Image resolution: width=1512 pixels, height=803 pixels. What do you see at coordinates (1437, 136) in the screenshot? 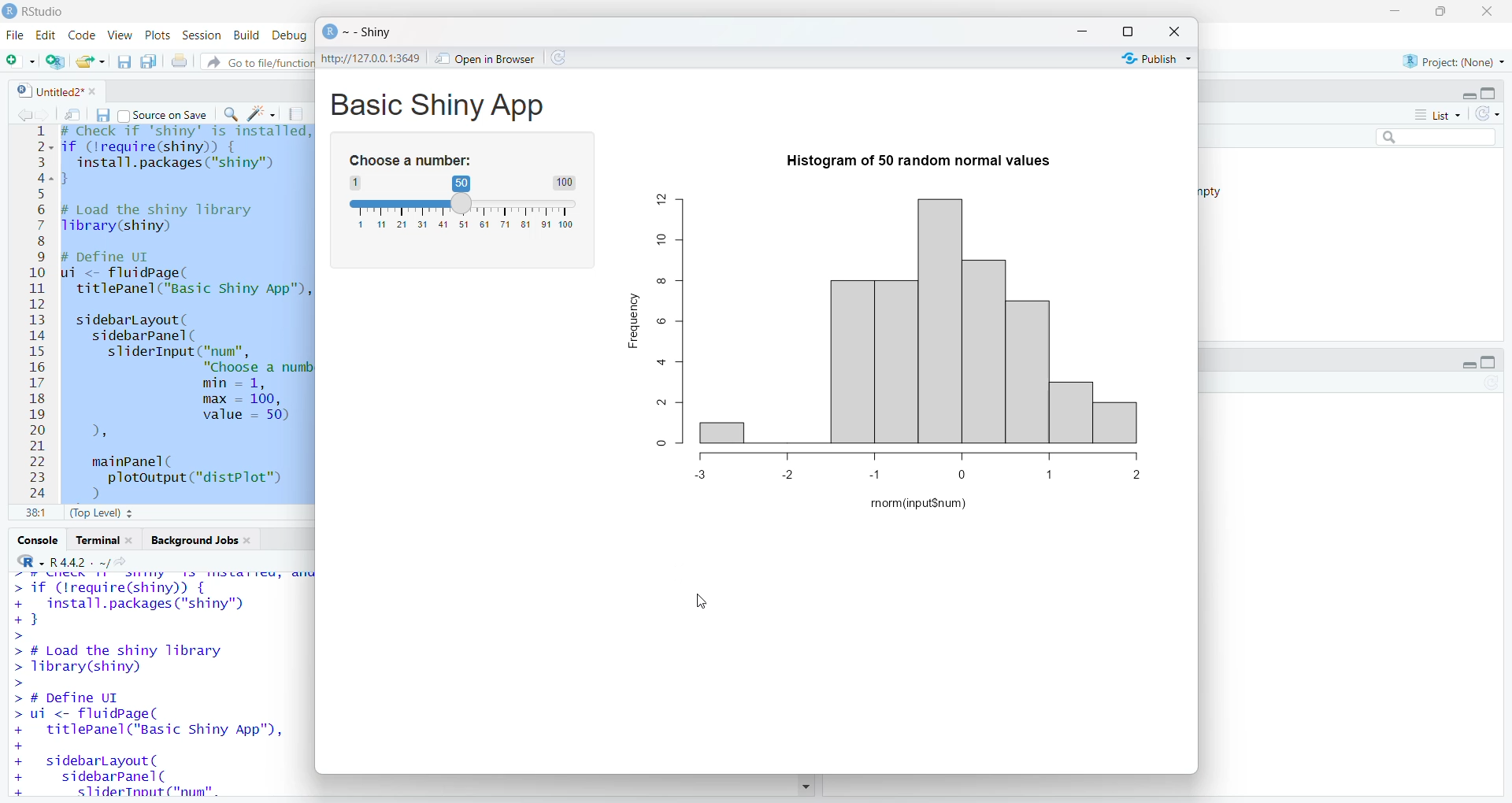
I see `search` at bounding box center [1437, 136].